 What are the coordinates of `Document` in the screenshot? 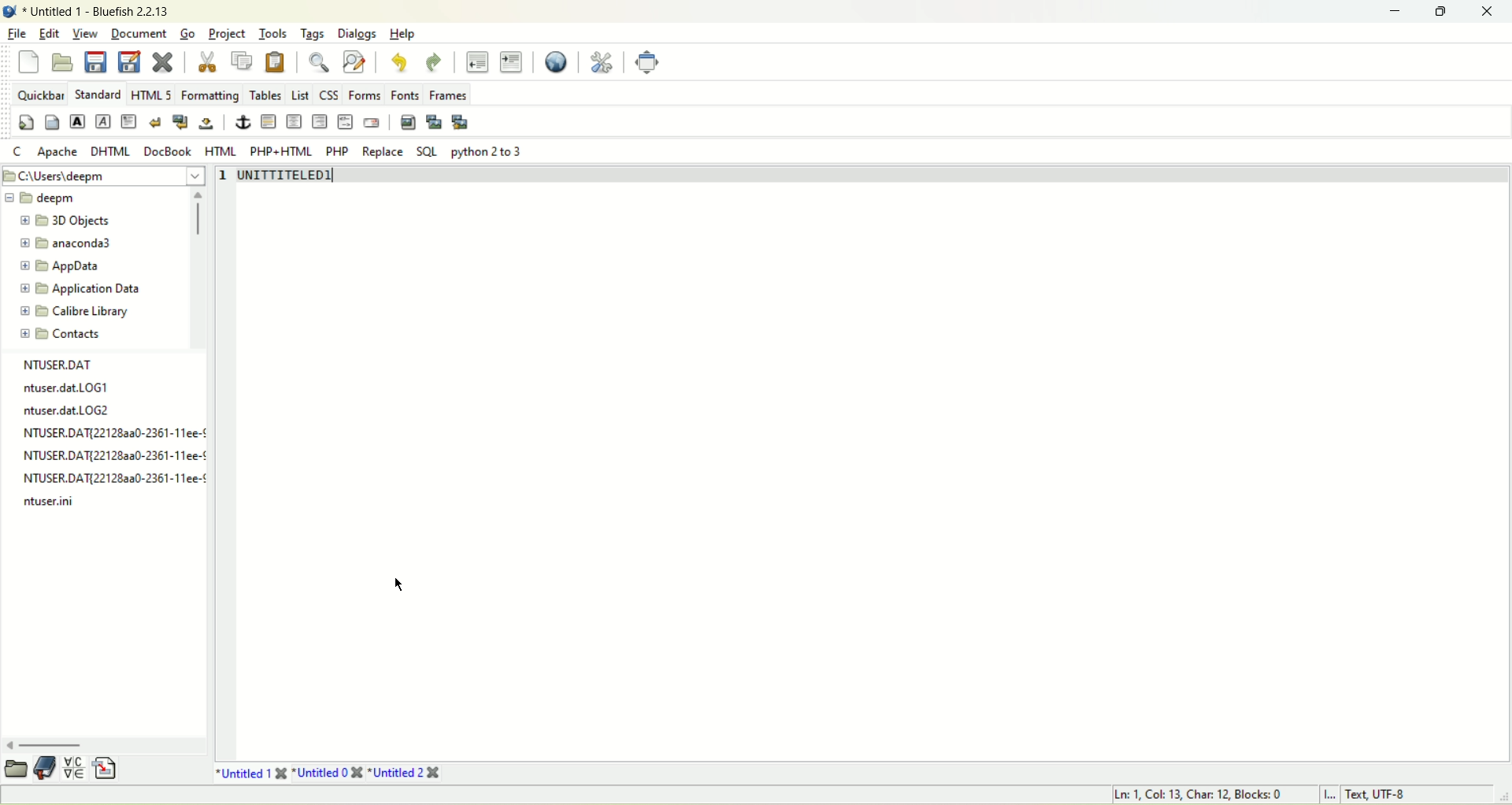 It's located at (138, 32).